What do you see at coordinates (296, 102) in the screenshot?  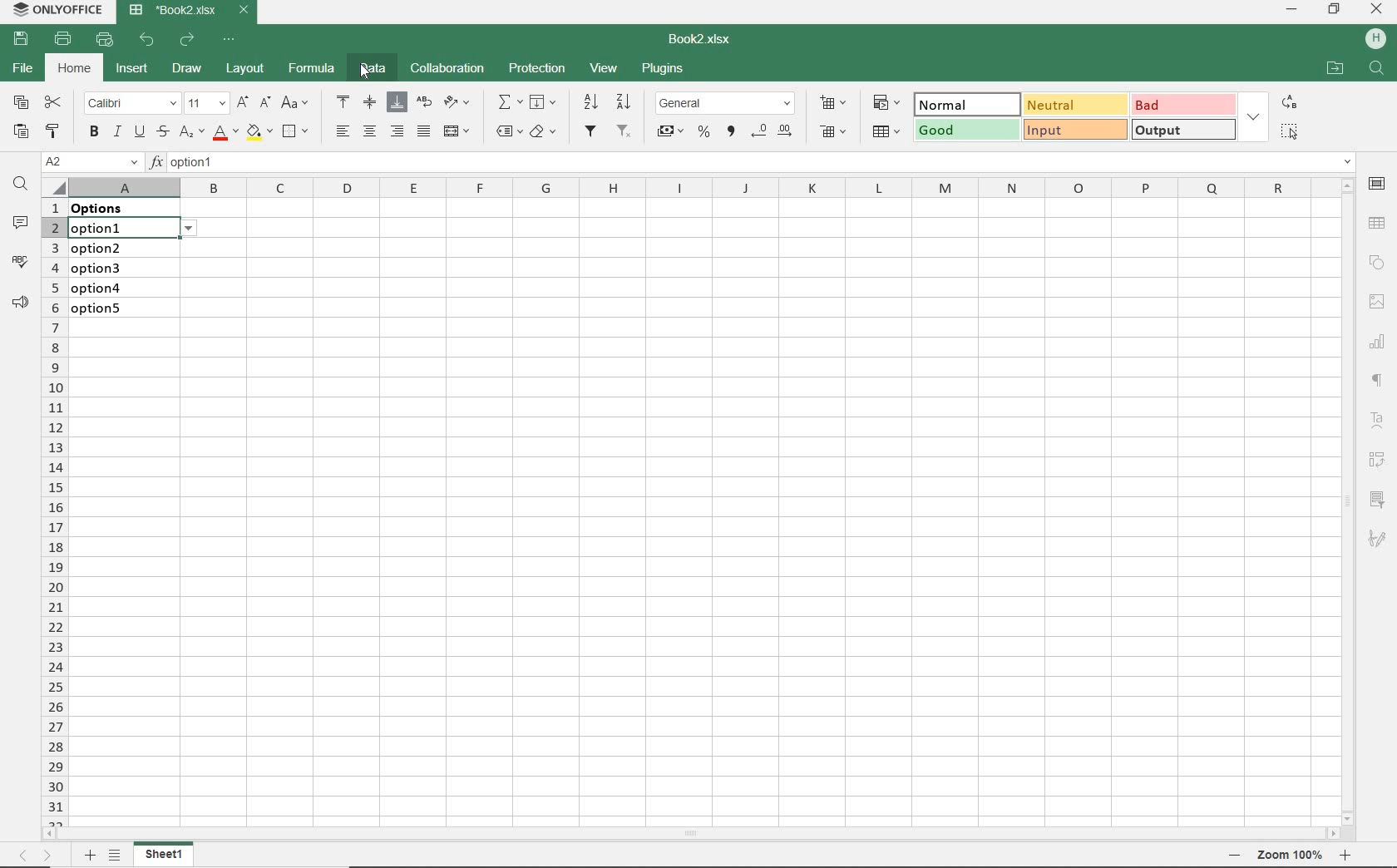 I see `CHANGE CASE` at bounding box center [296, 102].